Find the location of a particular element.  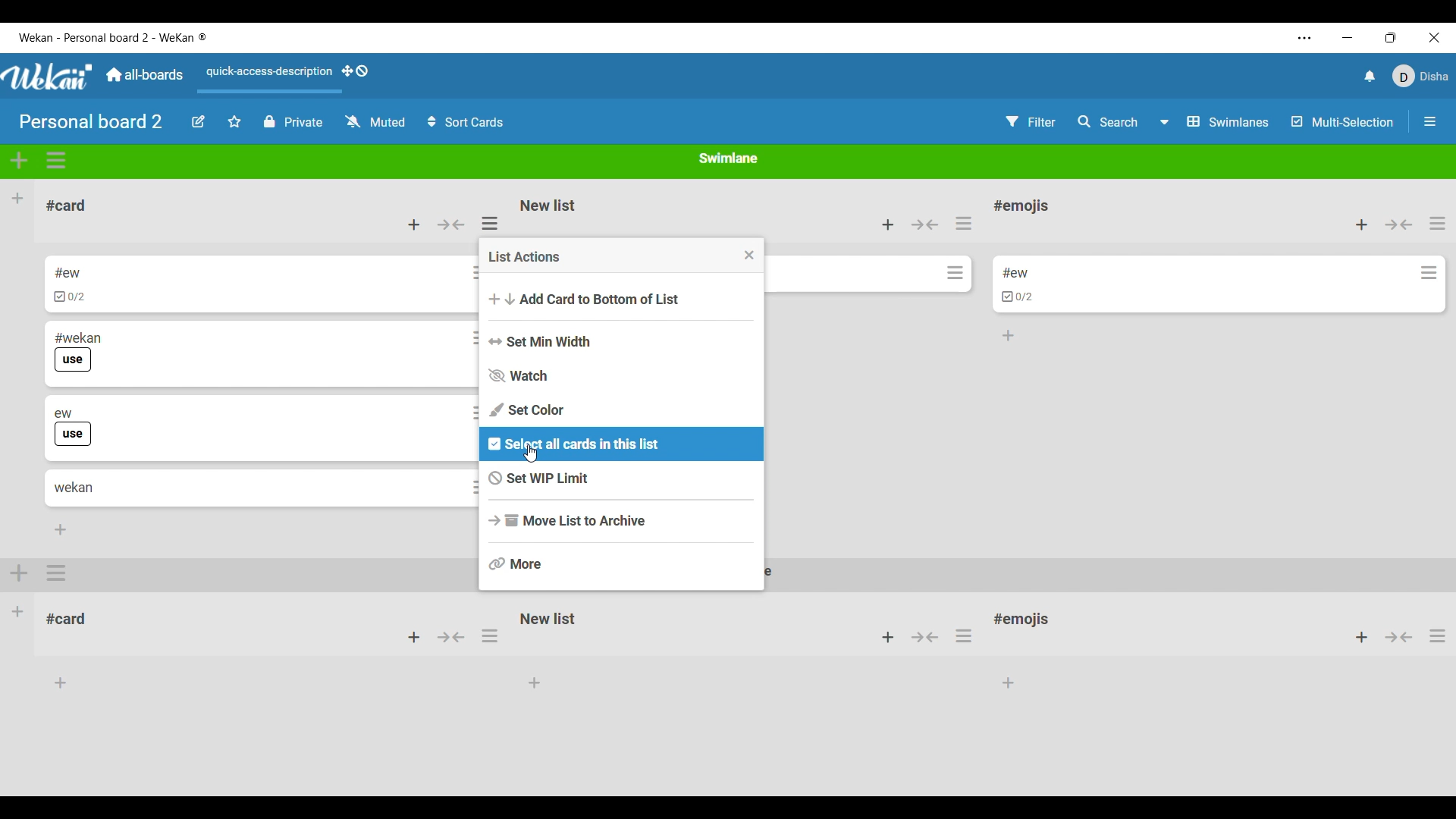

Add card to bottom of the list  is located at coordinates (1009, 335).